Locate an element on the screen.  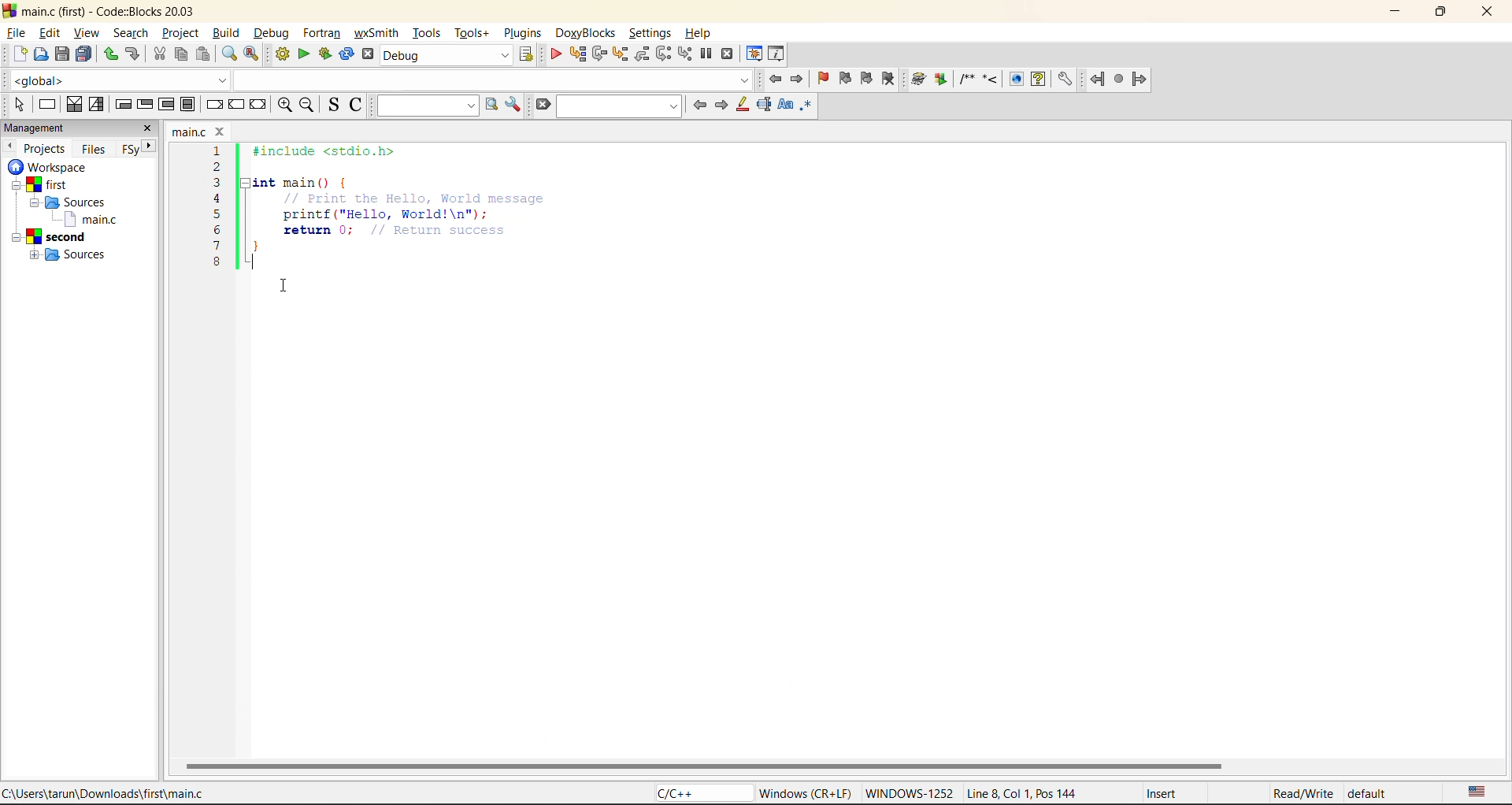
select is located at coordinates (18, 105).